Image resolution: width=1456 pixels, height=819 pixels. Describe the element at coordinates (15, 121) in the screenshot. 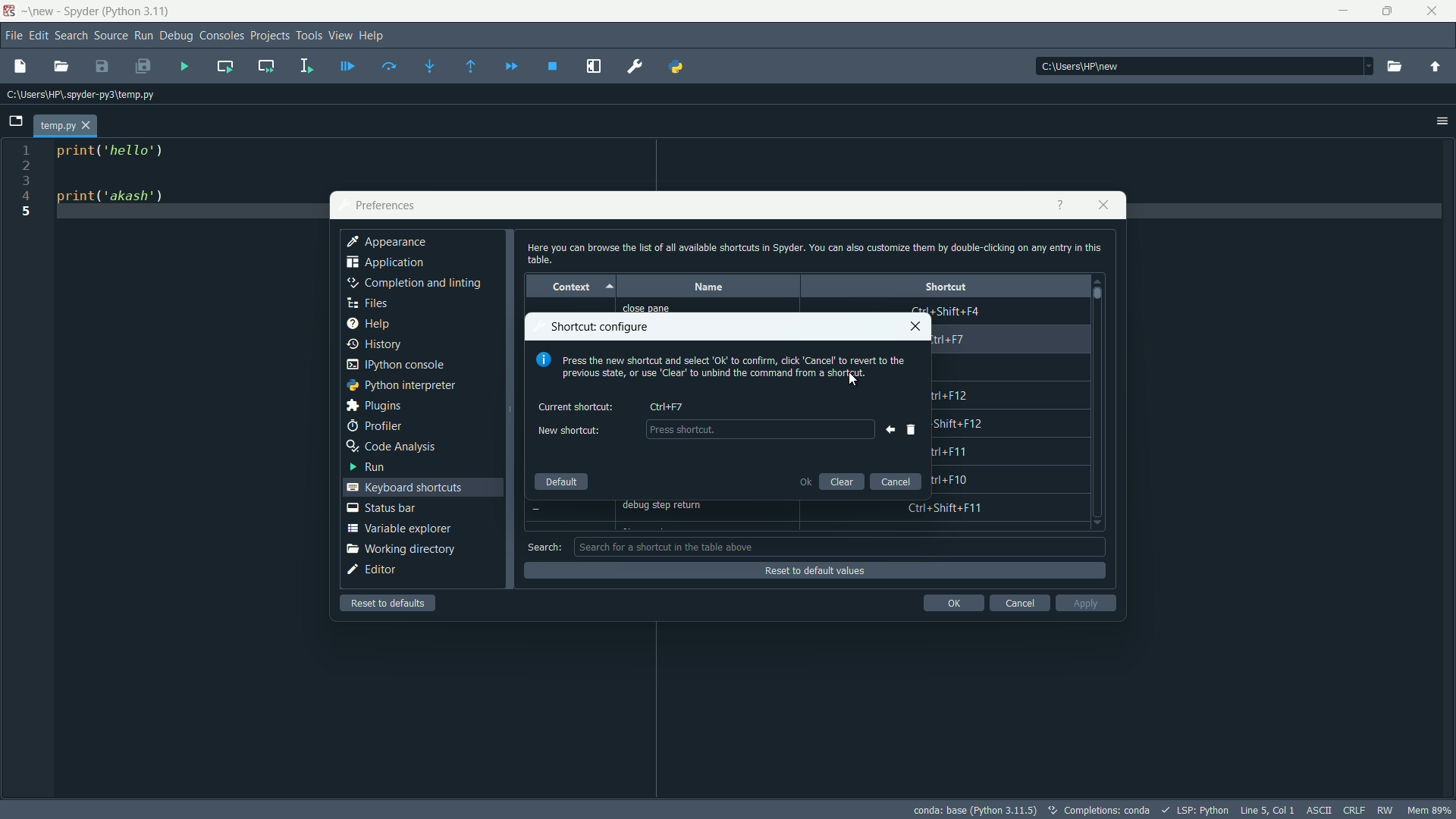

I see `browse tabs` at that location.